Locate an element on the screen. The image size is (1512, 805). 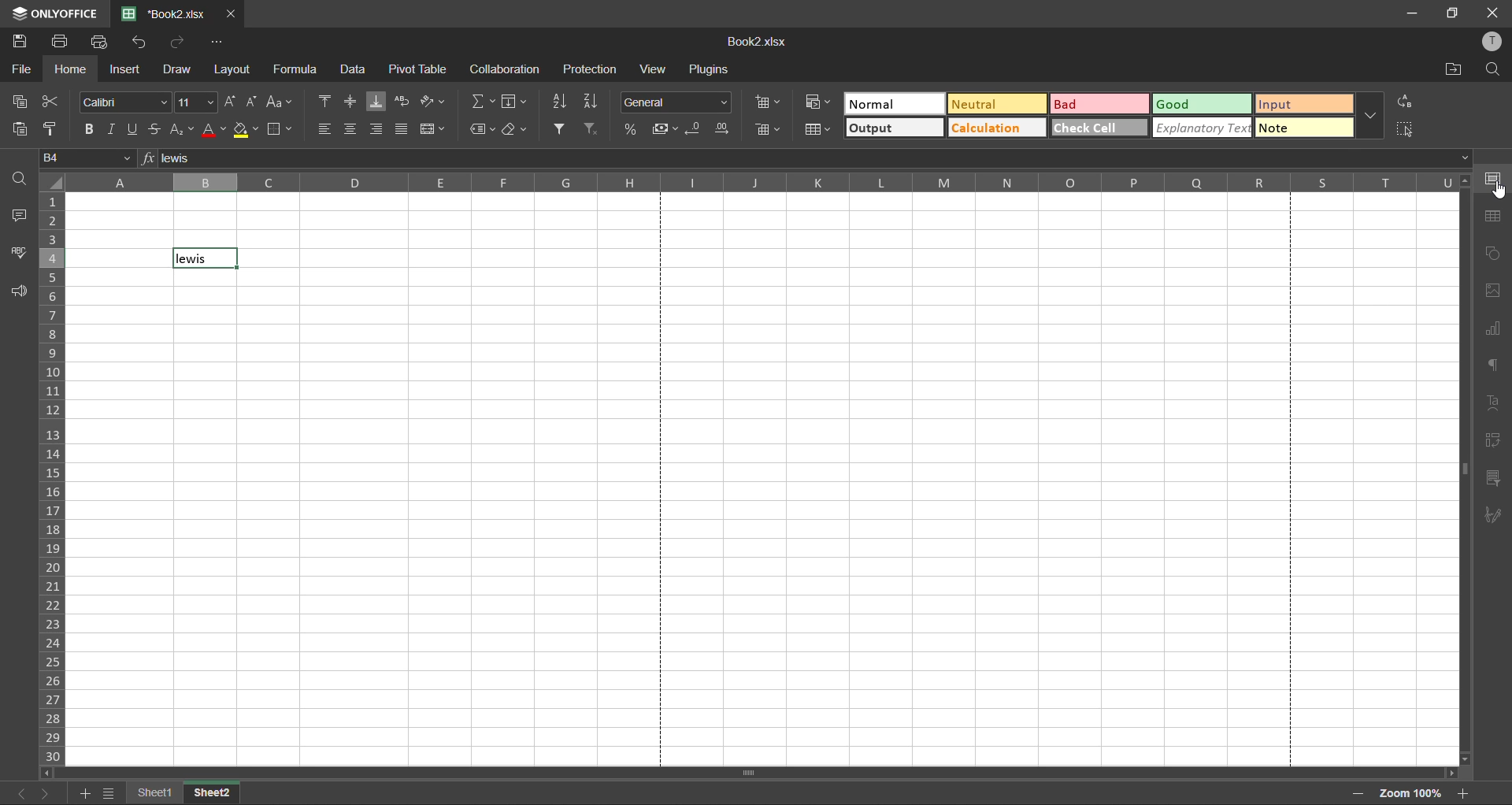
move left is located at coordinates (49, 772).